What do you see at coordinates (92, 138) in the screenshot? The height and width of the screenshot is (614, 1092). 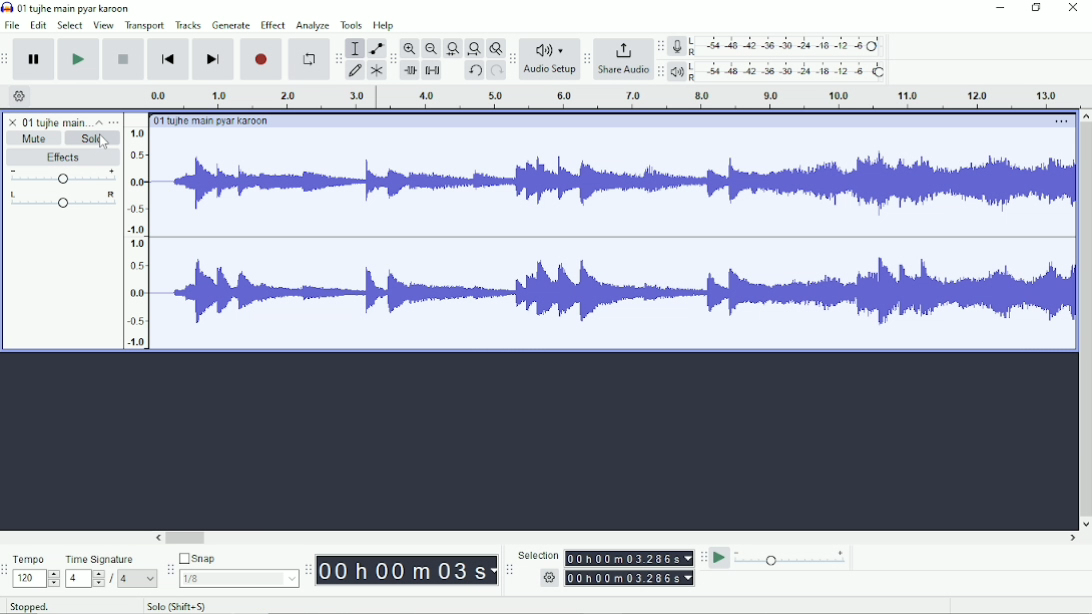 I see `Solo` at bounding box center [92, 138].